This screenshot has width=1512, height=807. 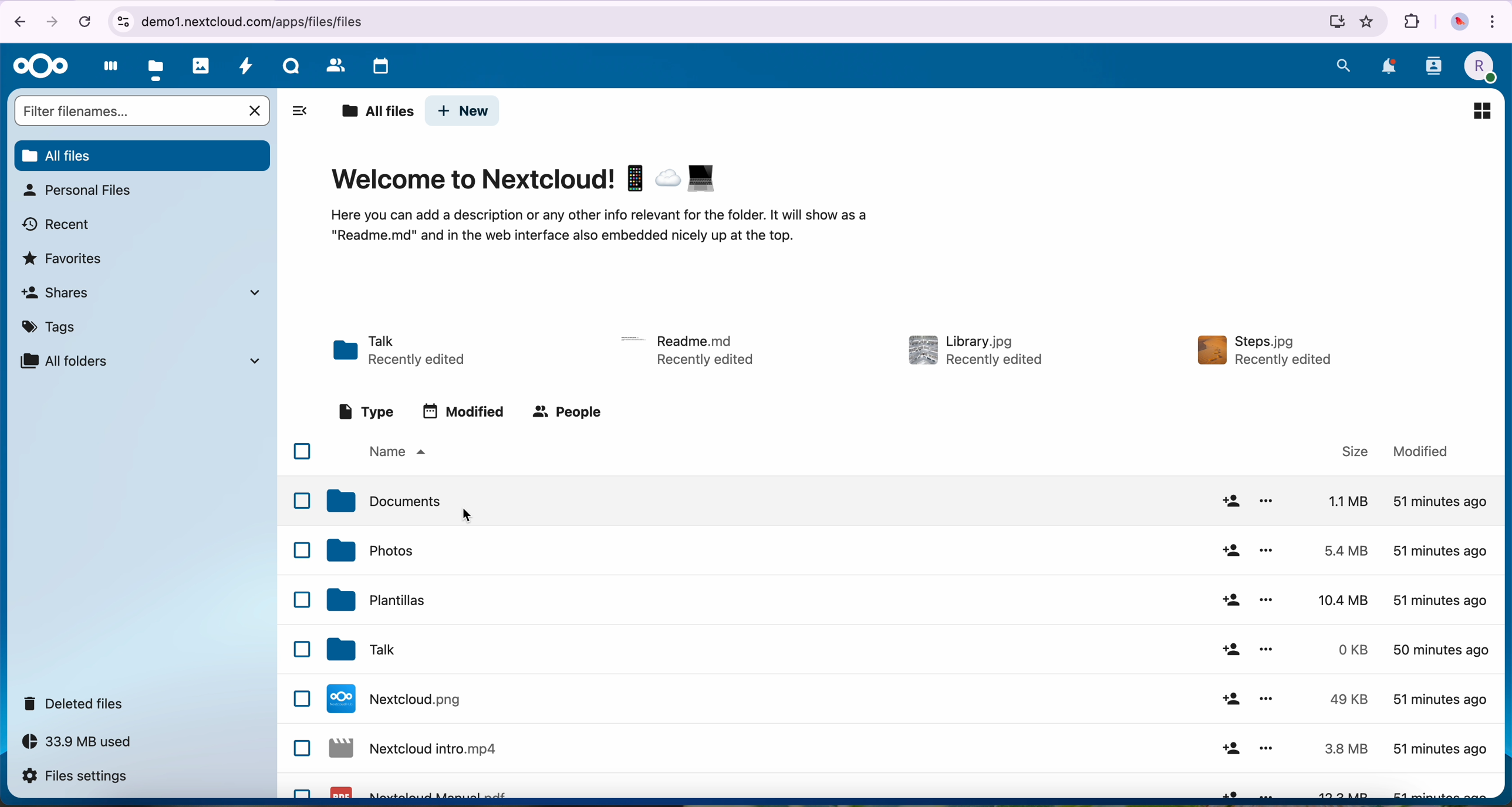 What do you see at coordinates (1419, 451) in the screenshot?
I see `modified` at bounding box center [1419, 451].